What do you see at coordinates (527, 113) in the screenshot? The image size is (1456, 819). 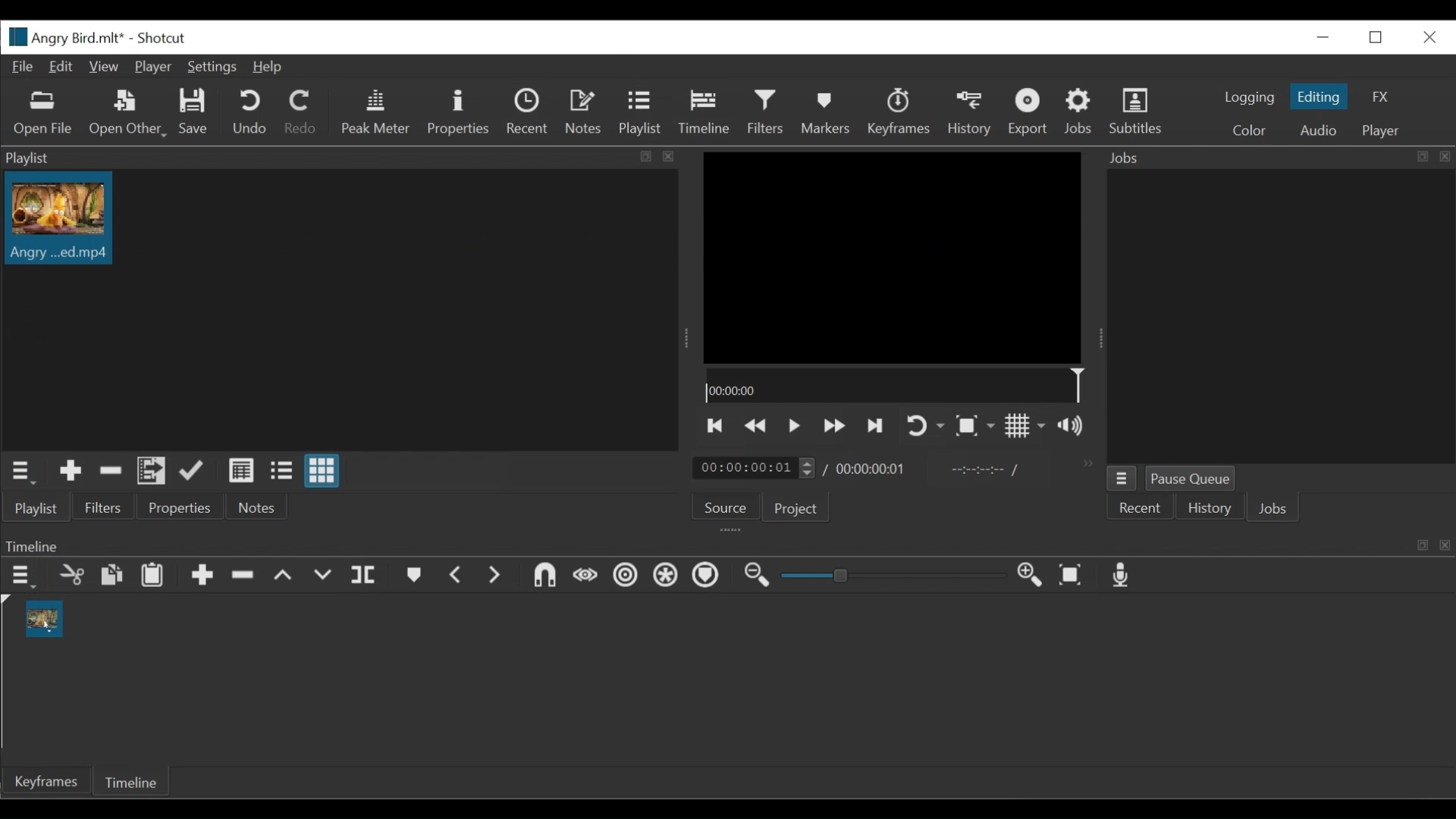 I see `Recent` at bounding box center [527, 113].